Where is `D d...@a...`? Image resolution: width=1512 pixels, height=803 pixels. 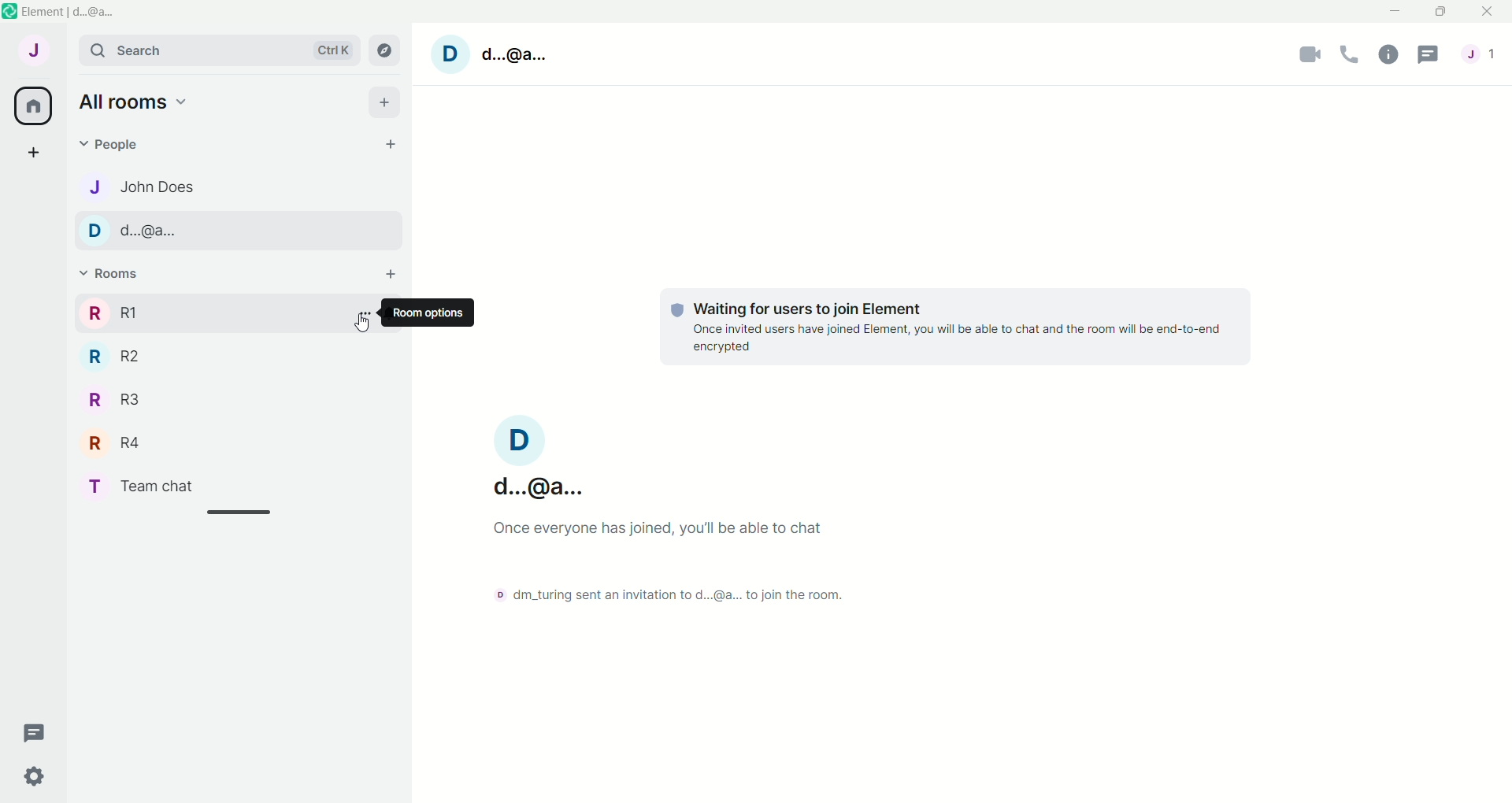 D d...@a... is located at coordinates (493, 54).